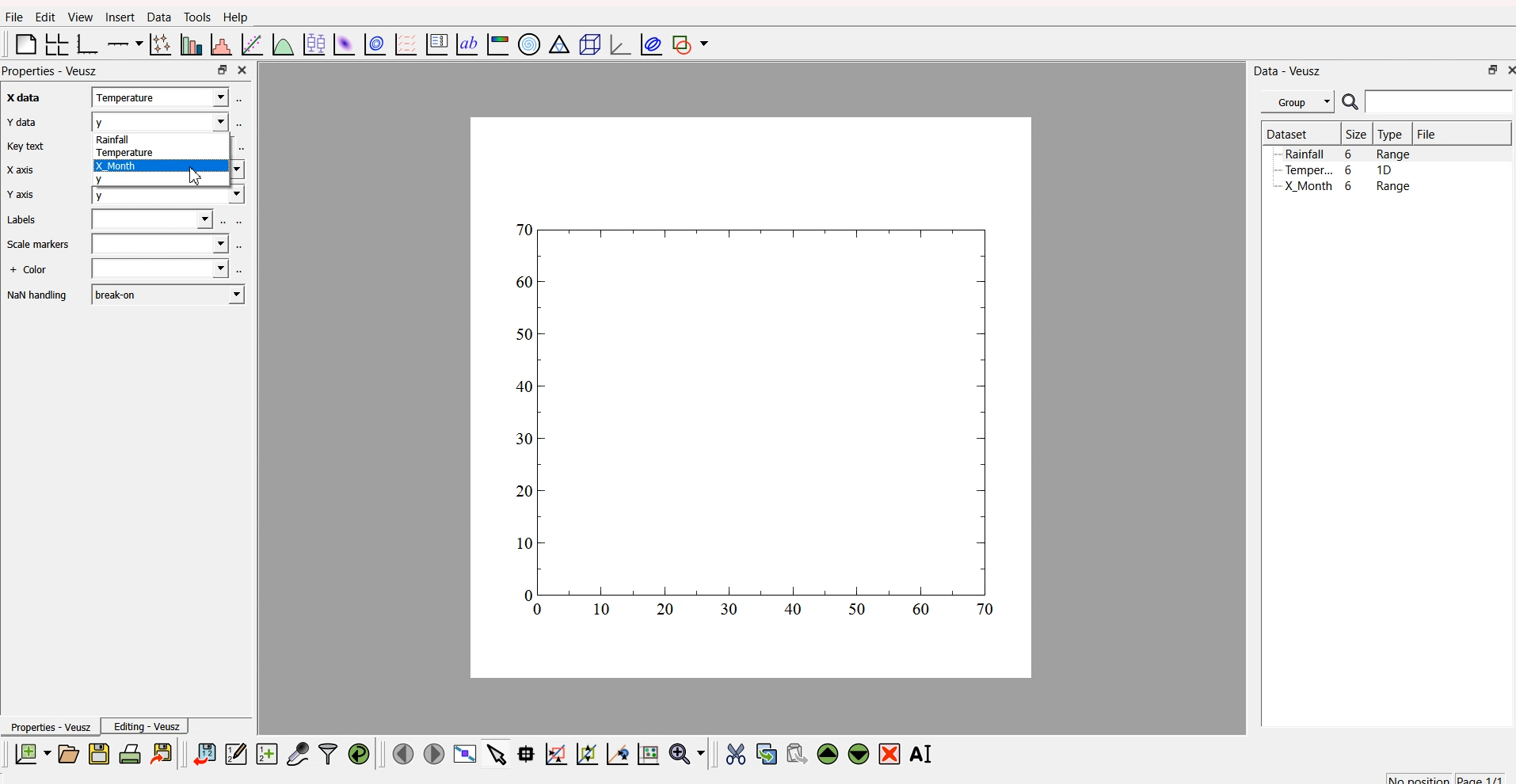 This screenshot has height=784, width=1516. Describe the element at coordinates (38, 296) in the screenshot. I see `NaN handling` at that location.